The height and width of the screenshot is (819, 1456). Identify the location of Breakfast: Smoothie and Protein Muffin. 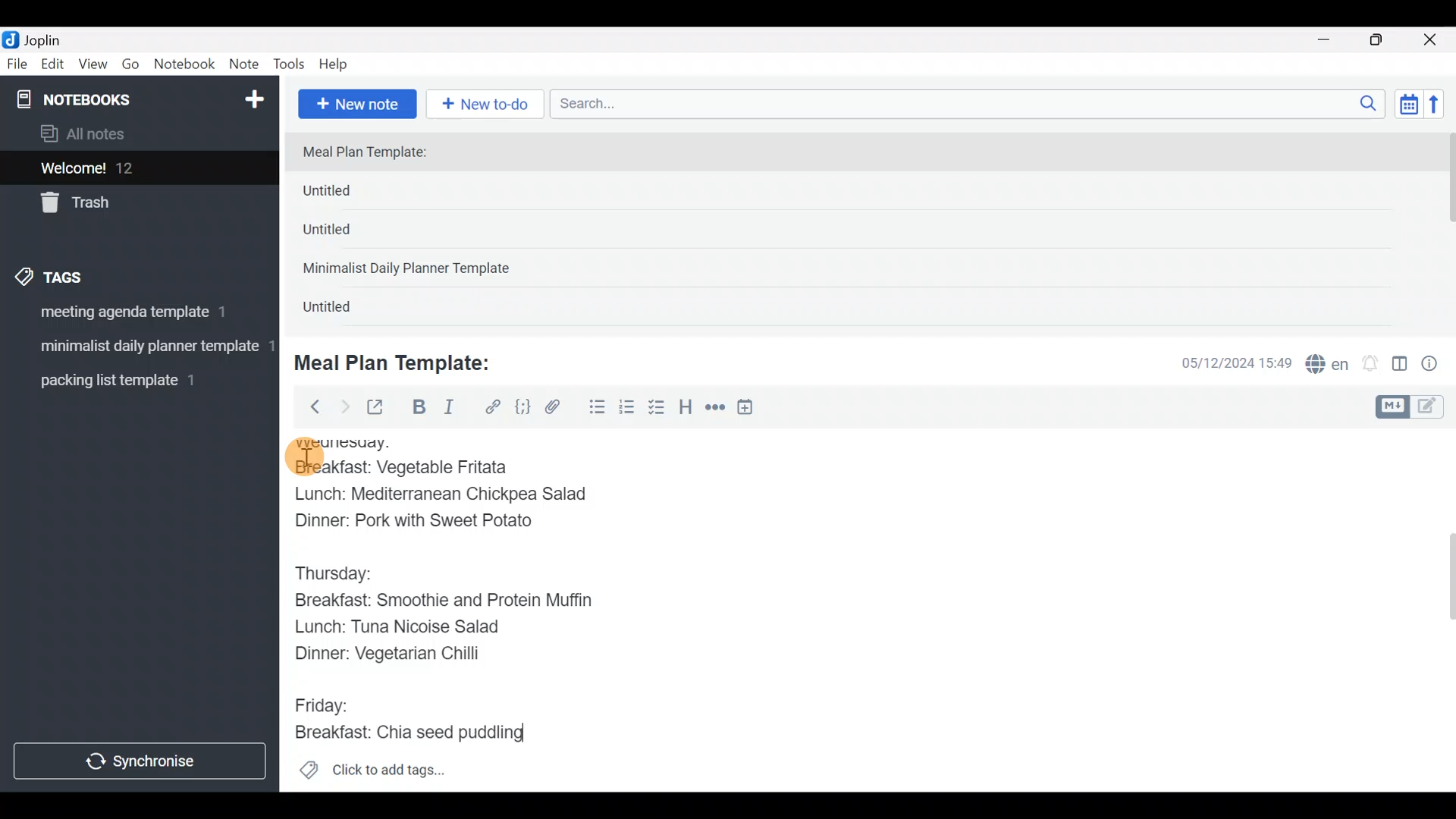
(443, 603).